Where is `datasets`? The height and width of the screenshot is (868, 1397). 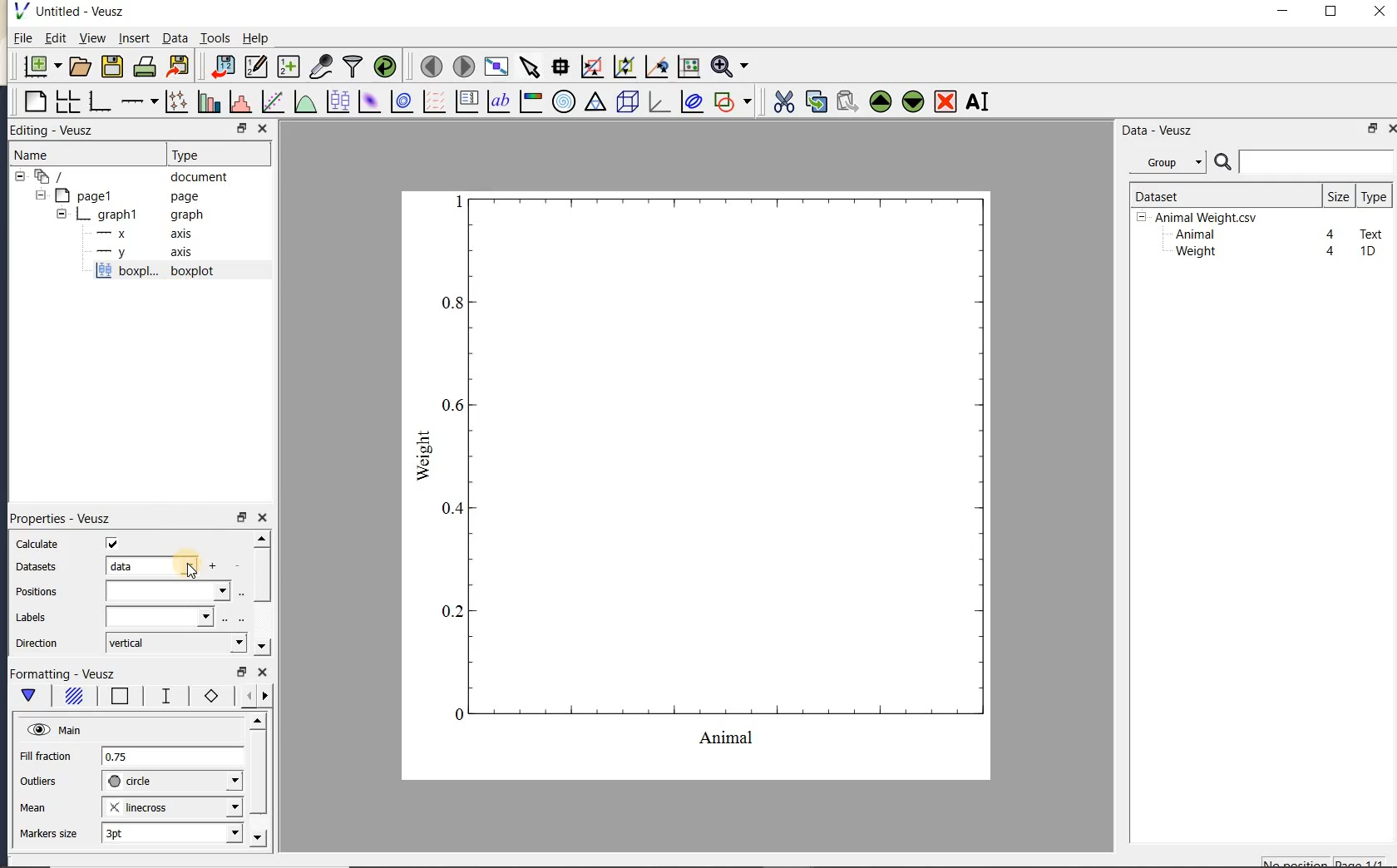 datasets is located at coordinates (35, 568).